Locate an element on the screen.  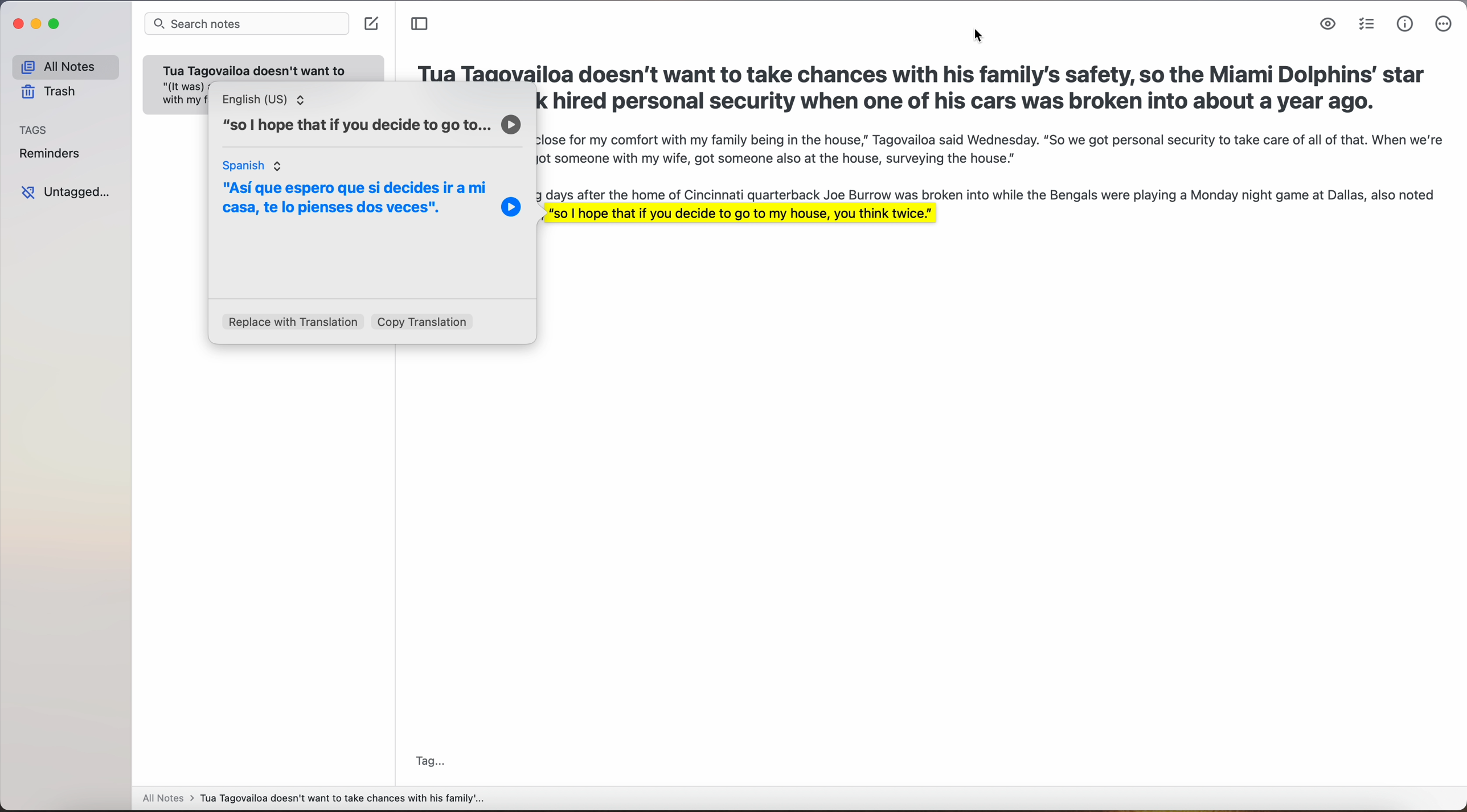
all notes is located at coordinates (64, 67).